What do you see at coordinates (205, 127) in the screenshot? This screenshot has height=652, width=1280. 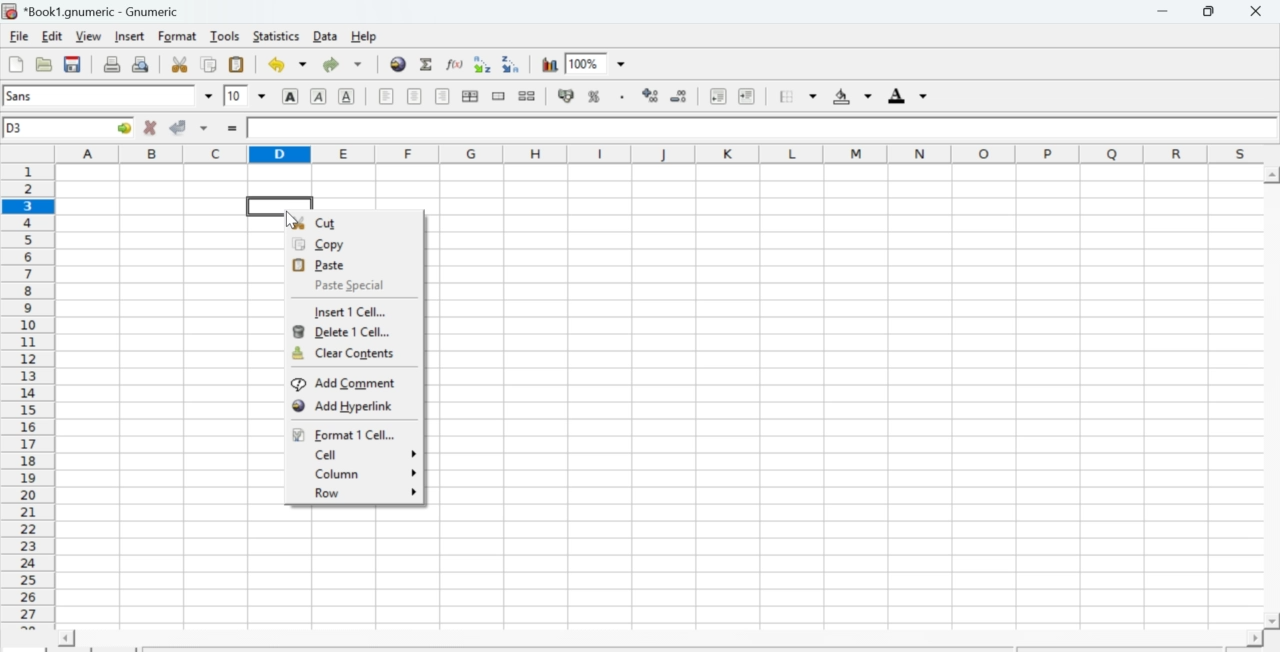 I see `down` at bounding box center [205, 127].